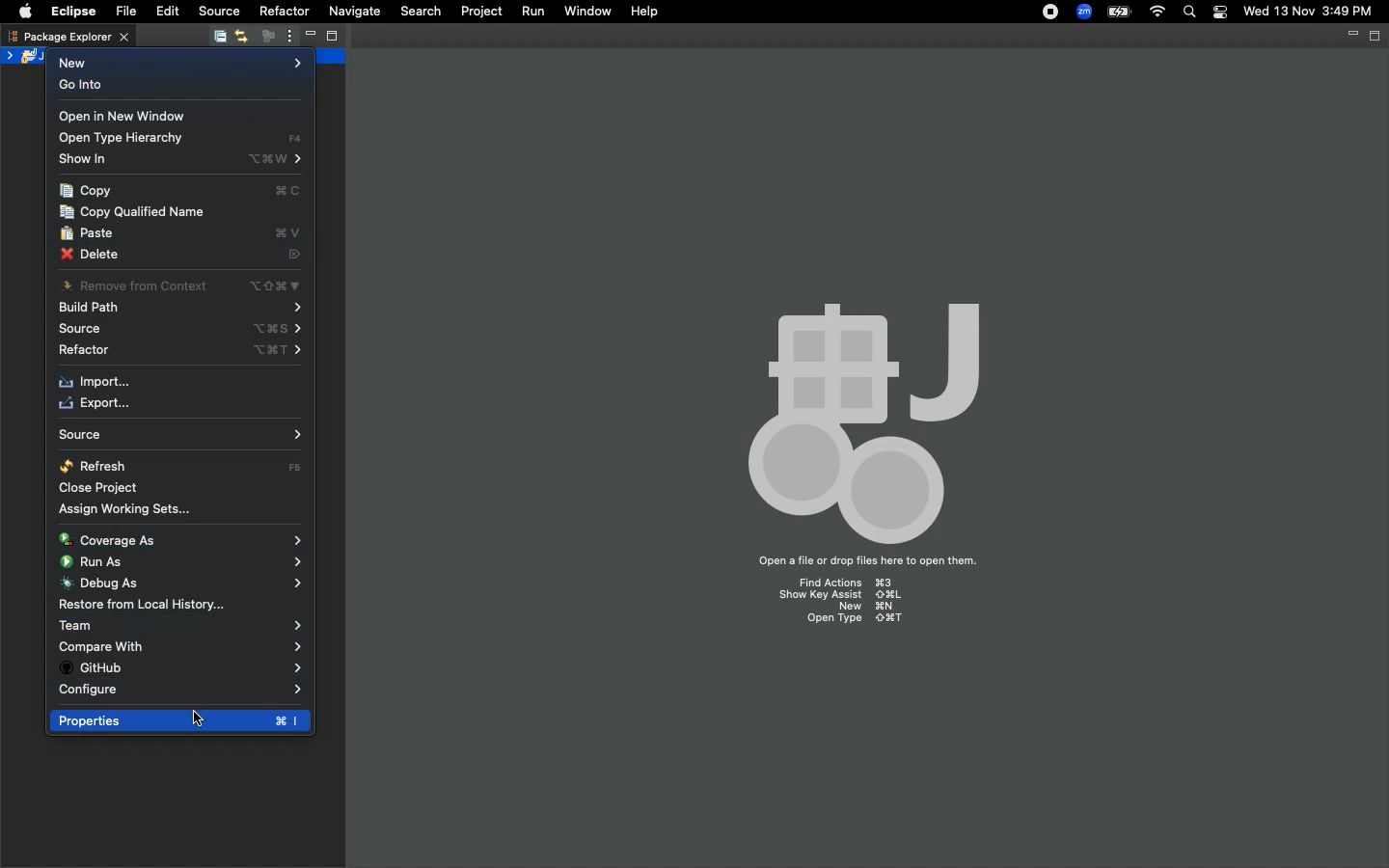  I want to click on Focus on active task, so click(266, 38).